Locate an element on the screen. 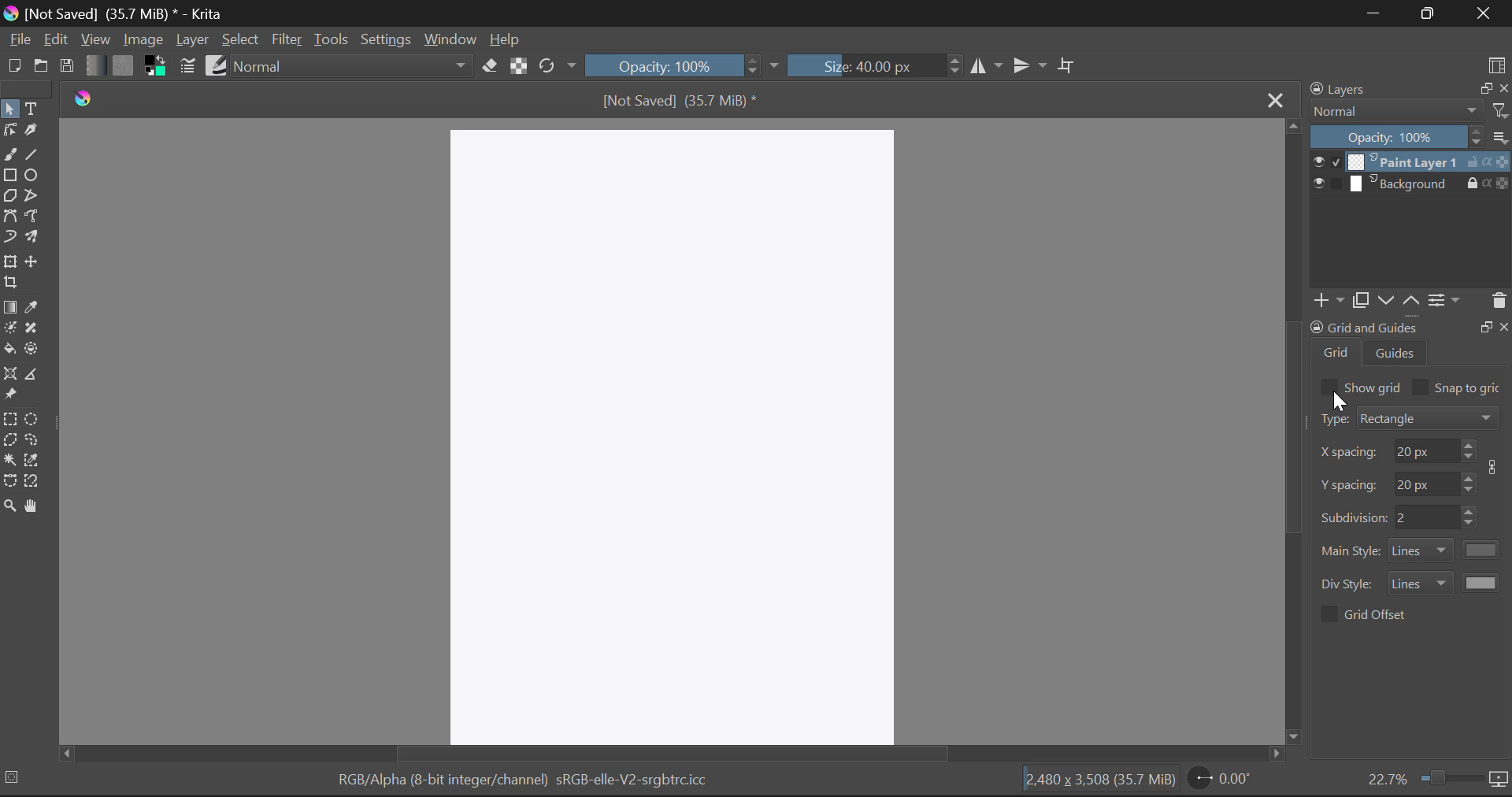 This screenshot has width=1512, height=797. Select is located at coordinates (9, 109).